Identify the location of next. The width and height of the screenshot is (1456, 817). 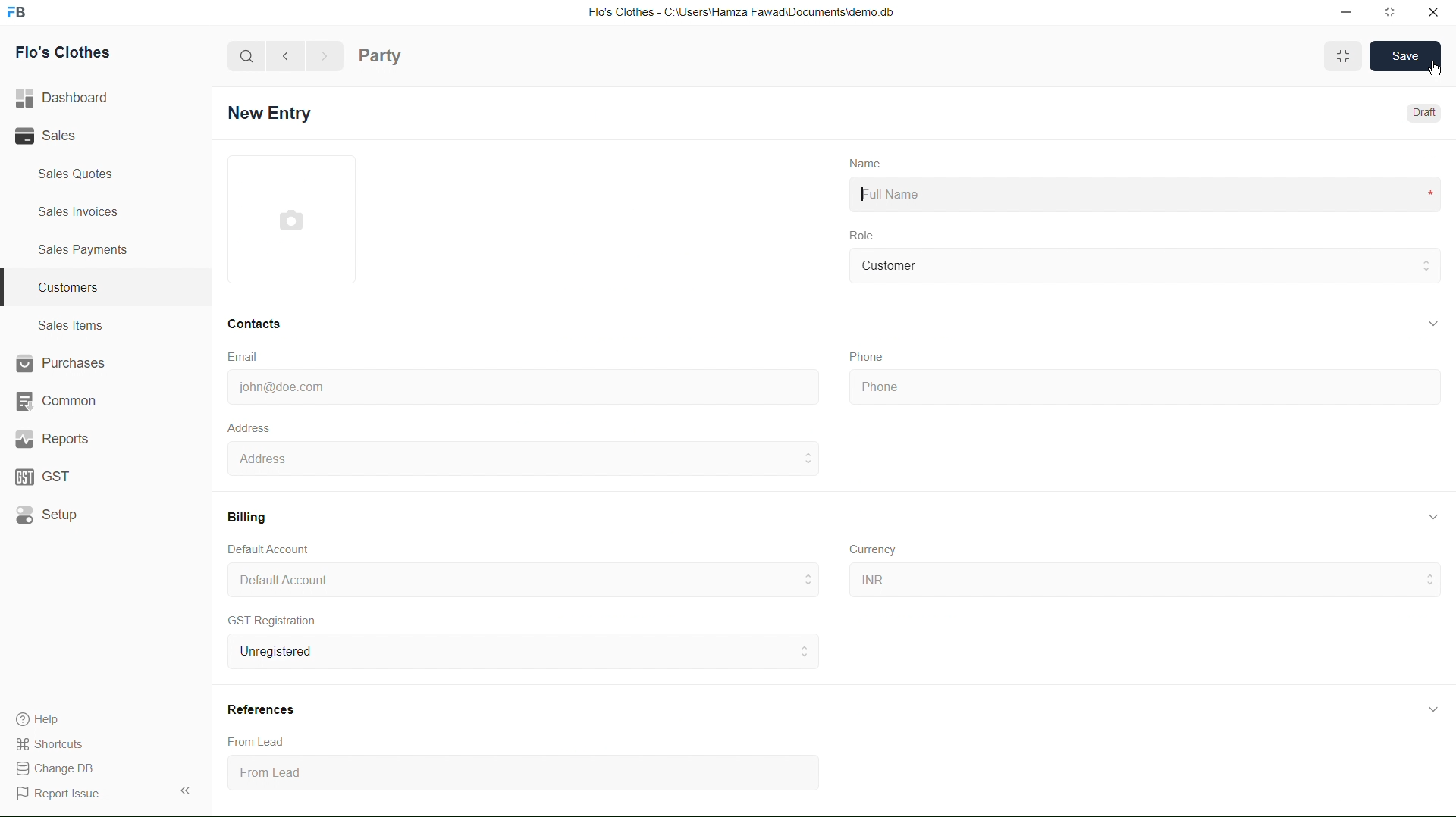
(327, 57).